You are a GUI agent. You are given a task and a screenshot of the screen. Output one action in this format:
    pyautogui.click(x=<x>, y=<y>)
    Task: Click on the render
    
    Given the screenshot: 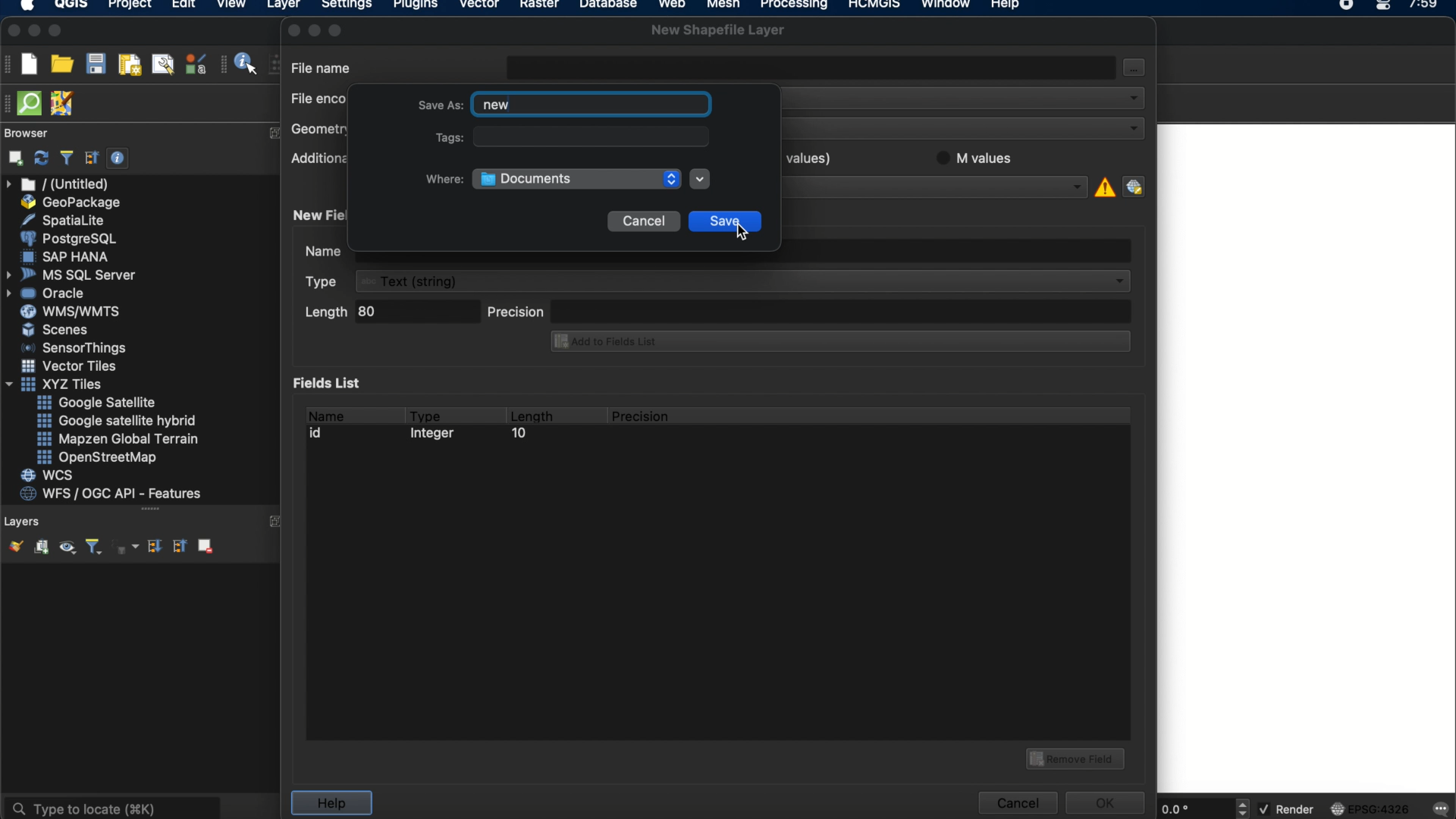 What is the action you would take?
    pyautogui.click(x=1288, y=810)
    